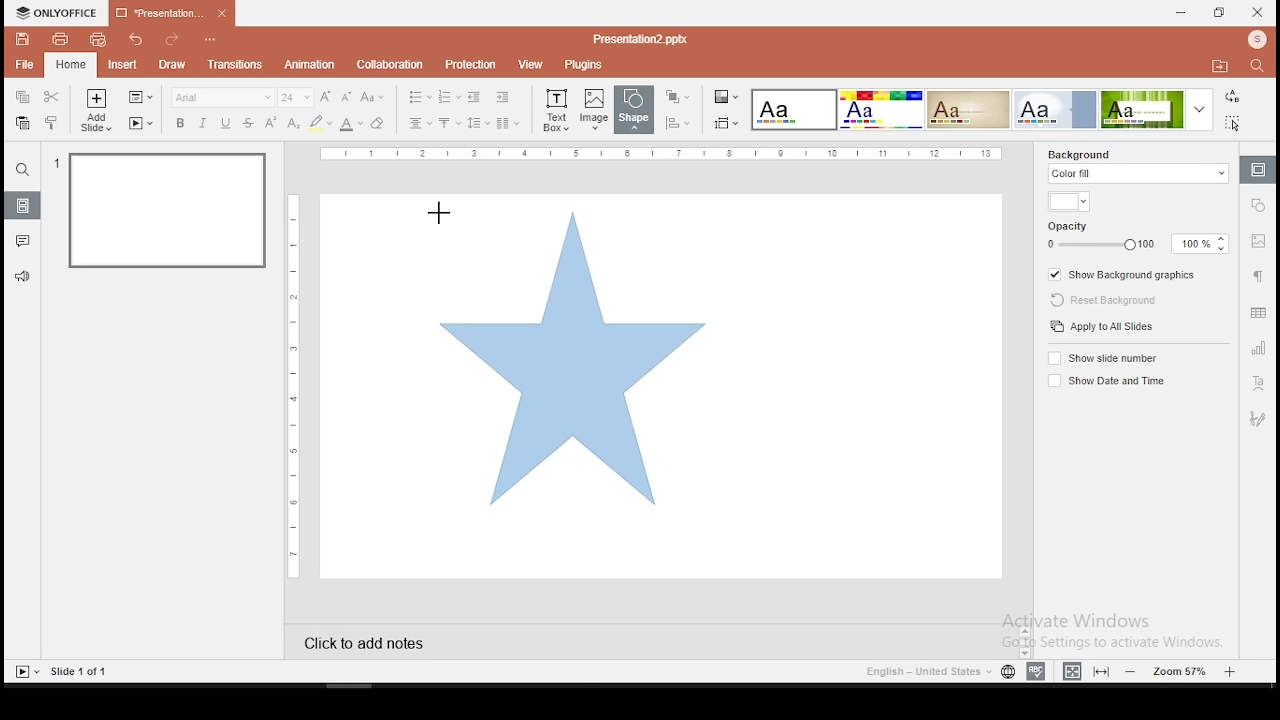 The width and height of the screenshot is (1280, 720). Describe the element at coordinates (202, 123) in the screenshot. I see `italics` at that location.